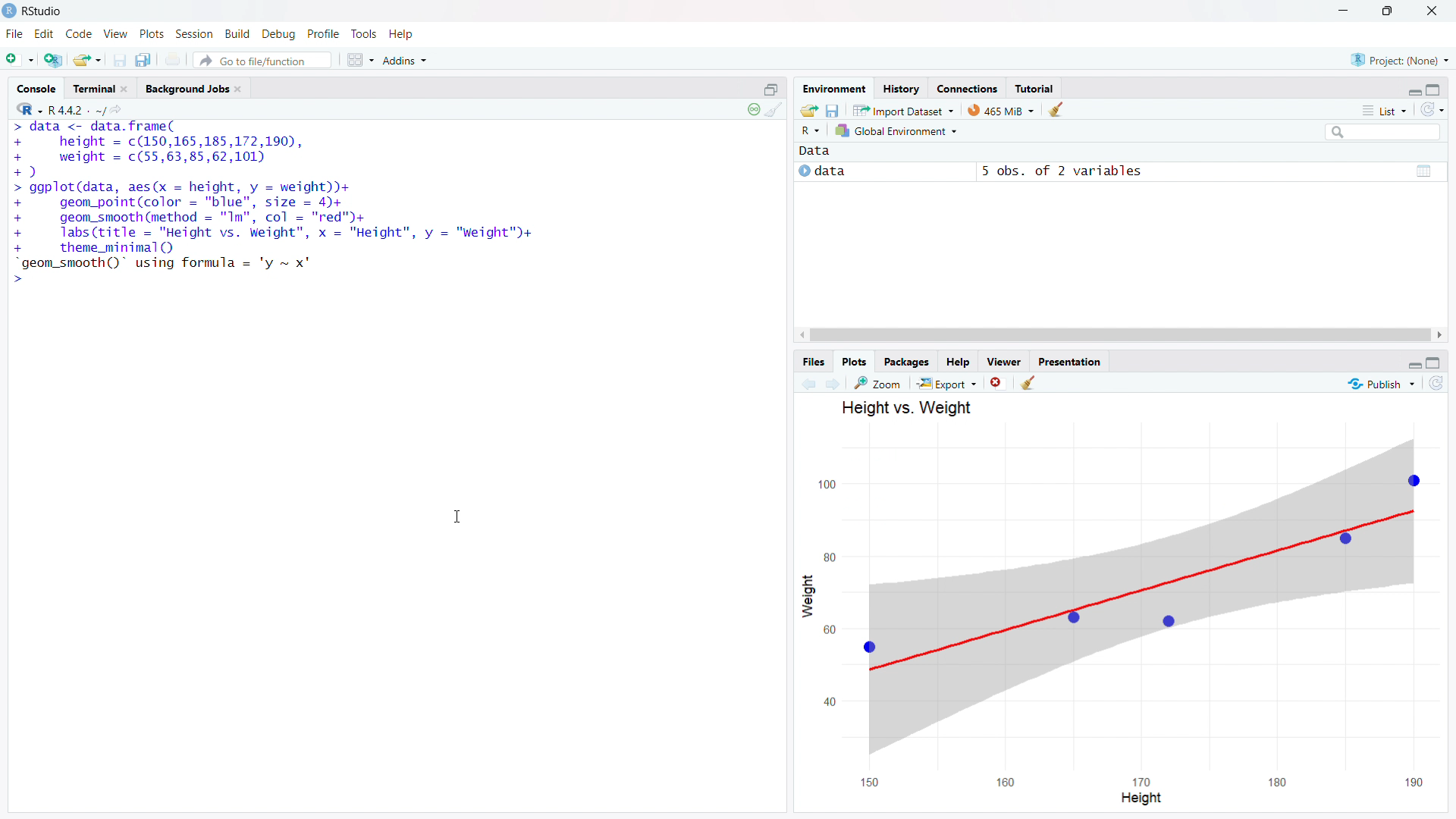  I want to click on import dataset, so click(904, 109).